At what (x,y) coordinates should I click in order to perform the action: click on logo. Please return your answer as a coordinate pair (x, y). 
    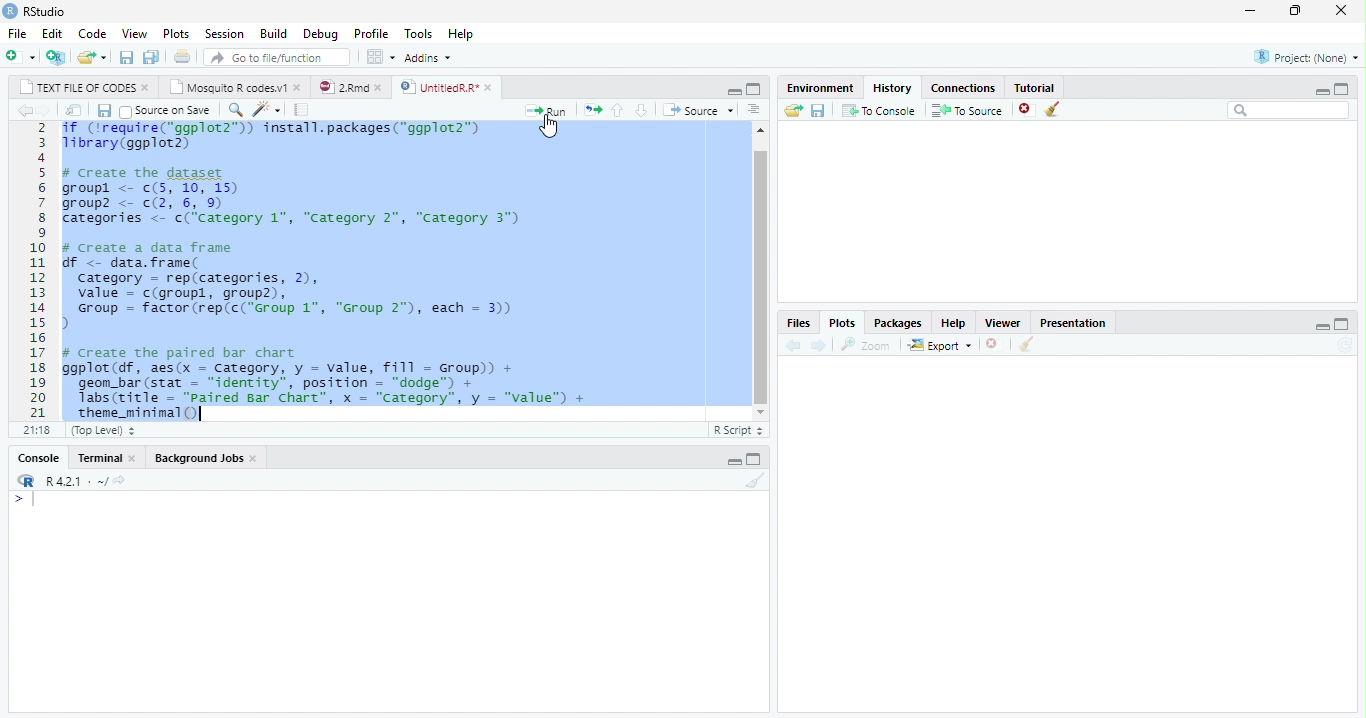
    Looking at the image, I should click on (11, 12).